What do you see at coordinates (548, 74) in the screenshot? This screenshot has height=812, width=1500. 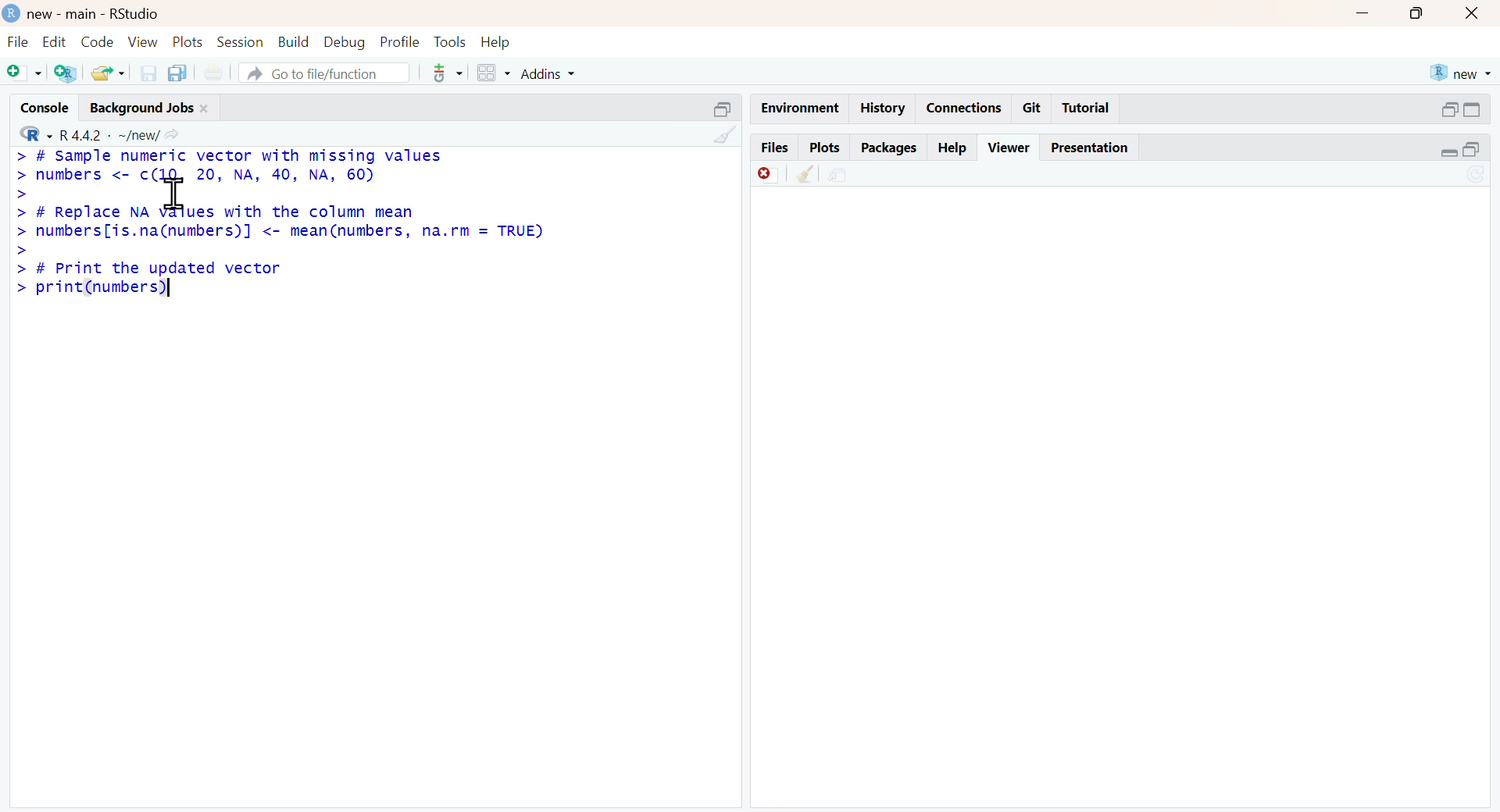 I see `addins` at bounding box center [548, 74].